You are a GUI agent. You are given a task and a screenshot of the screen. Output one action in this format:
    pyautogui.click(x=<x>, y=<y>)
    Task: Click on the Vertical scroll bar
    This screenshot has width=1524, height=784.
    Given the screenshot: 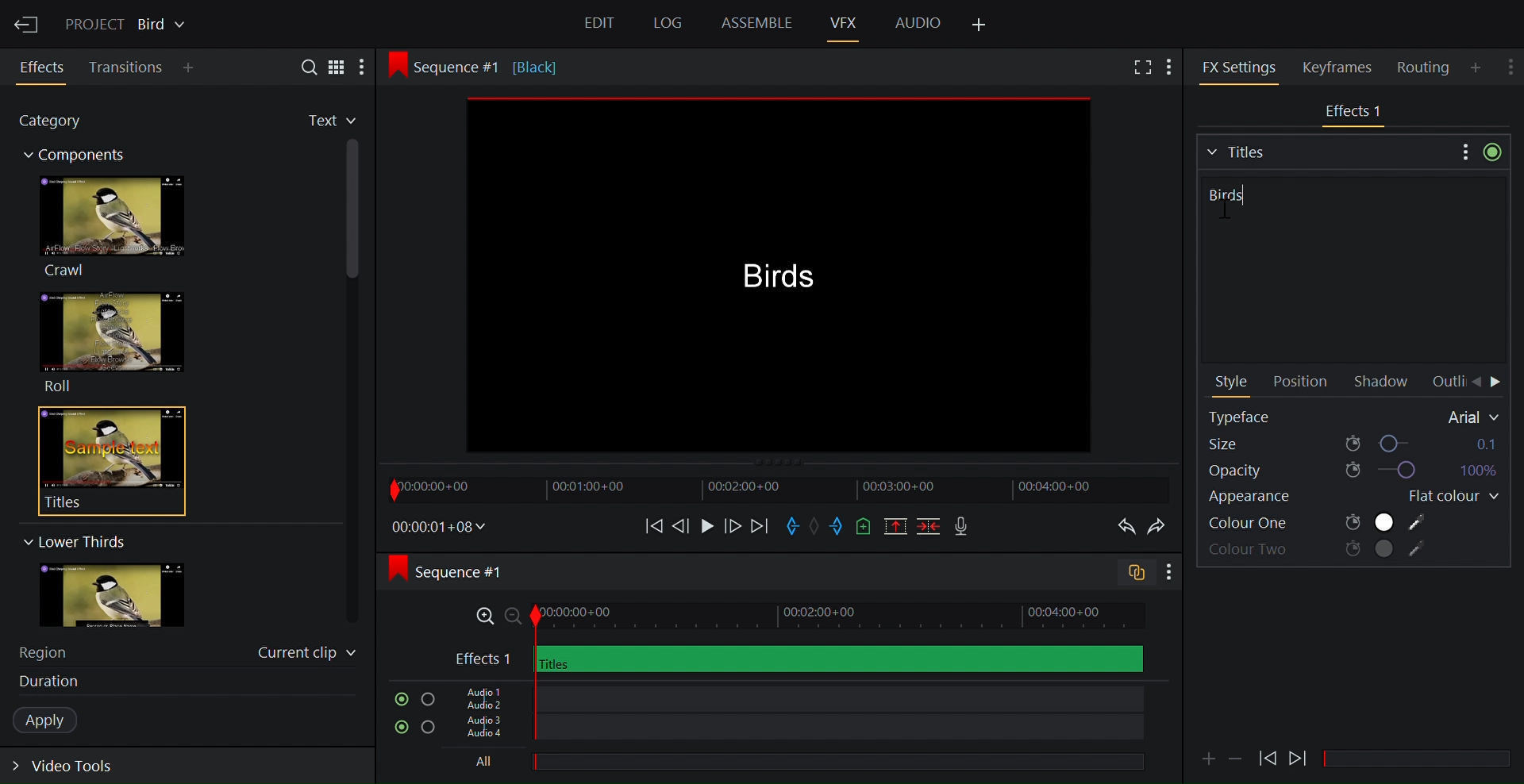 What is the action you would take?
    pyautogui.click(x=354, y=290)
    